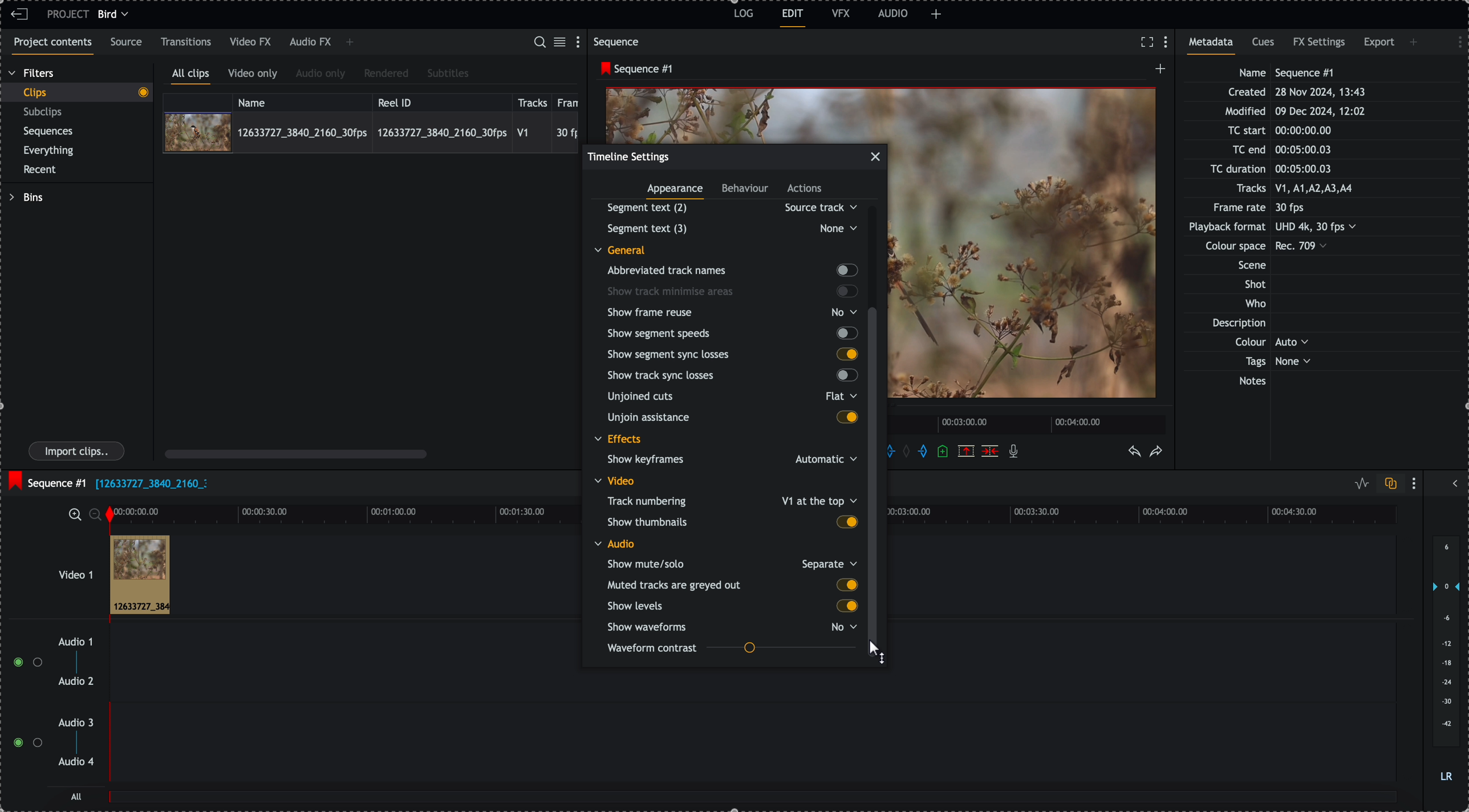 Image resolution: width=1469 pixels, height=812 pixels. What do you see at coordinates (1215, 46) in the screenshot?
I see `metadata` at bounding box center [1215, 46].